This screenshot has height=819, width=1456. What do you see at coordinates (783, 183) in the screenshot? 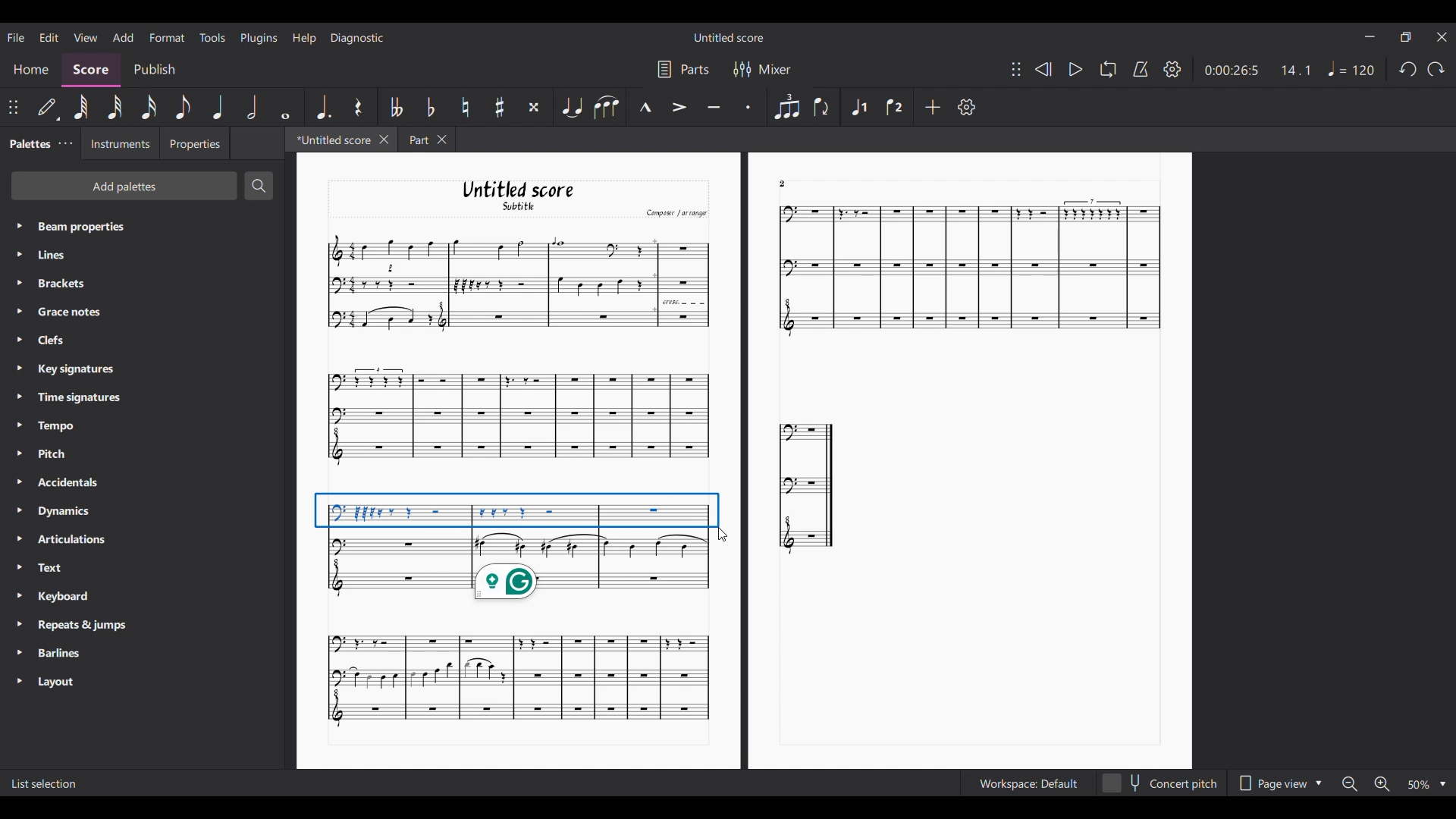
I see `2` at bounding box center [783, 183].